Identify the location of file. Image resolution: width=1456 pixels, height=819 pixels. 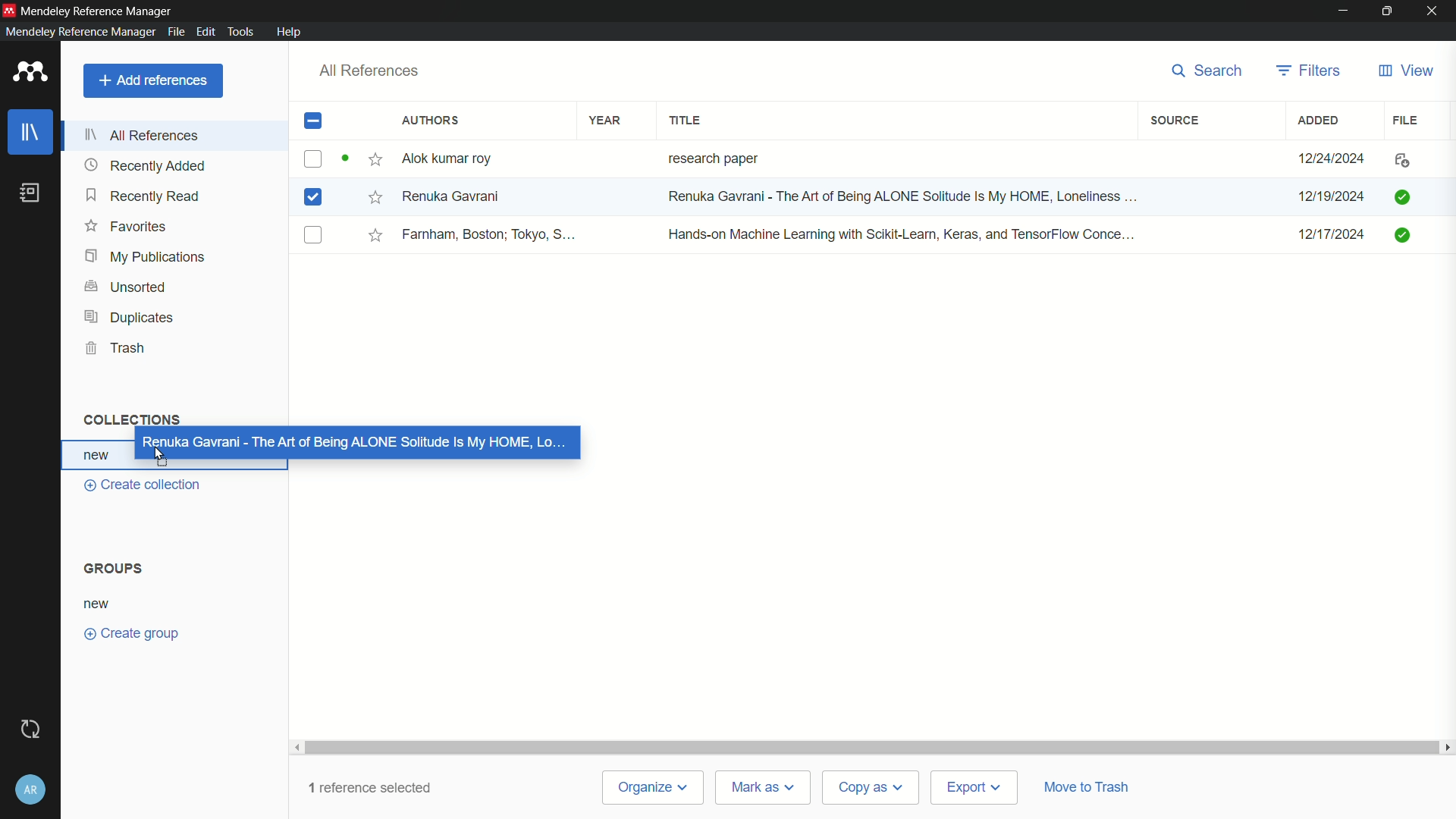
(1399, 160).